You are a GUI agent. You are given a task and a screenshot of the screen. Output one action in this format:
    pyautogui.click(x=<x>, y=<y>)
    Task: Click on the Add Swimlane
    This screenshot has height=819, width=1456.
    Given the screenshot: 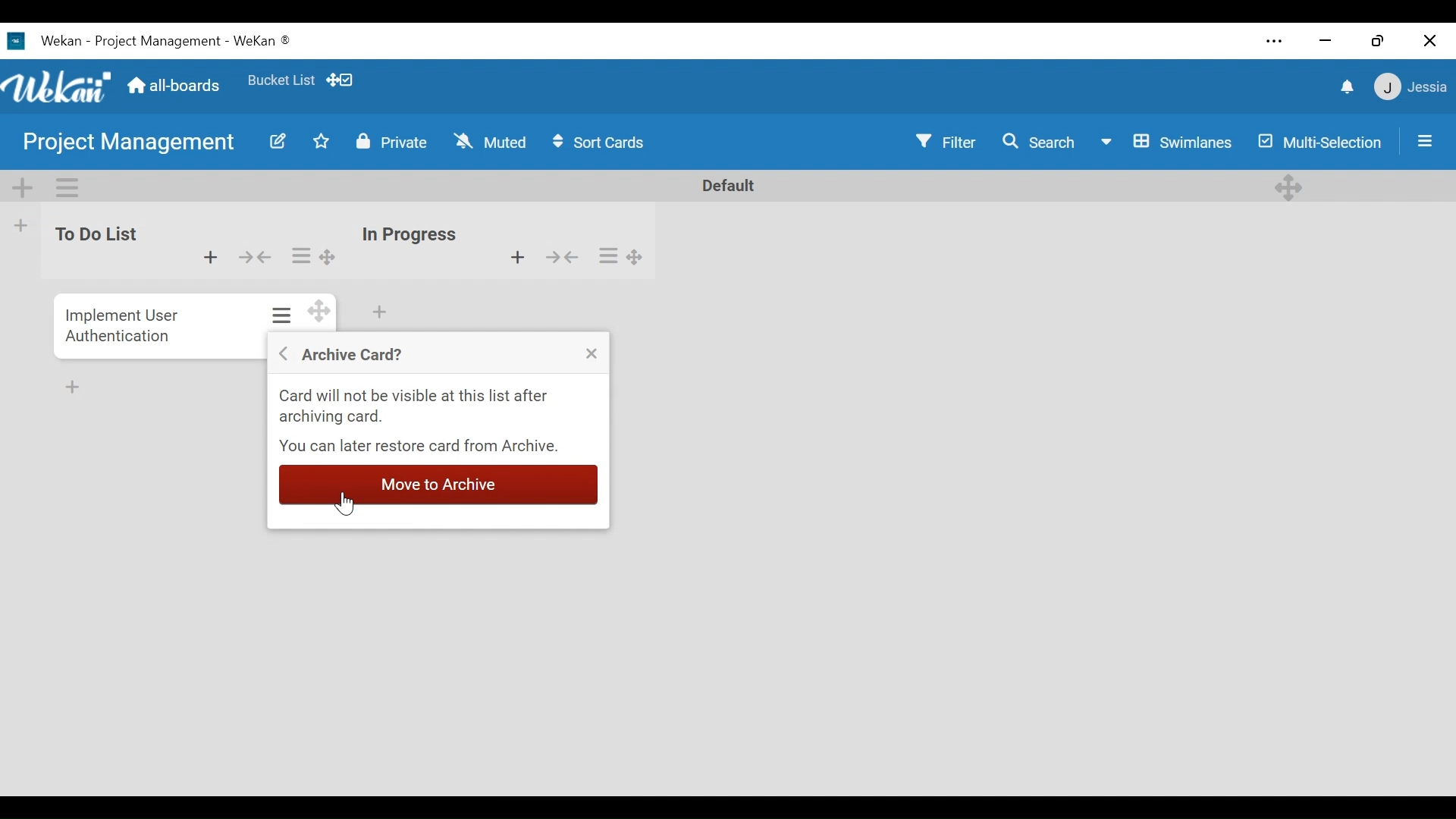 What is the action you would take?
    pyautogui.click(x=24, y=188)
    